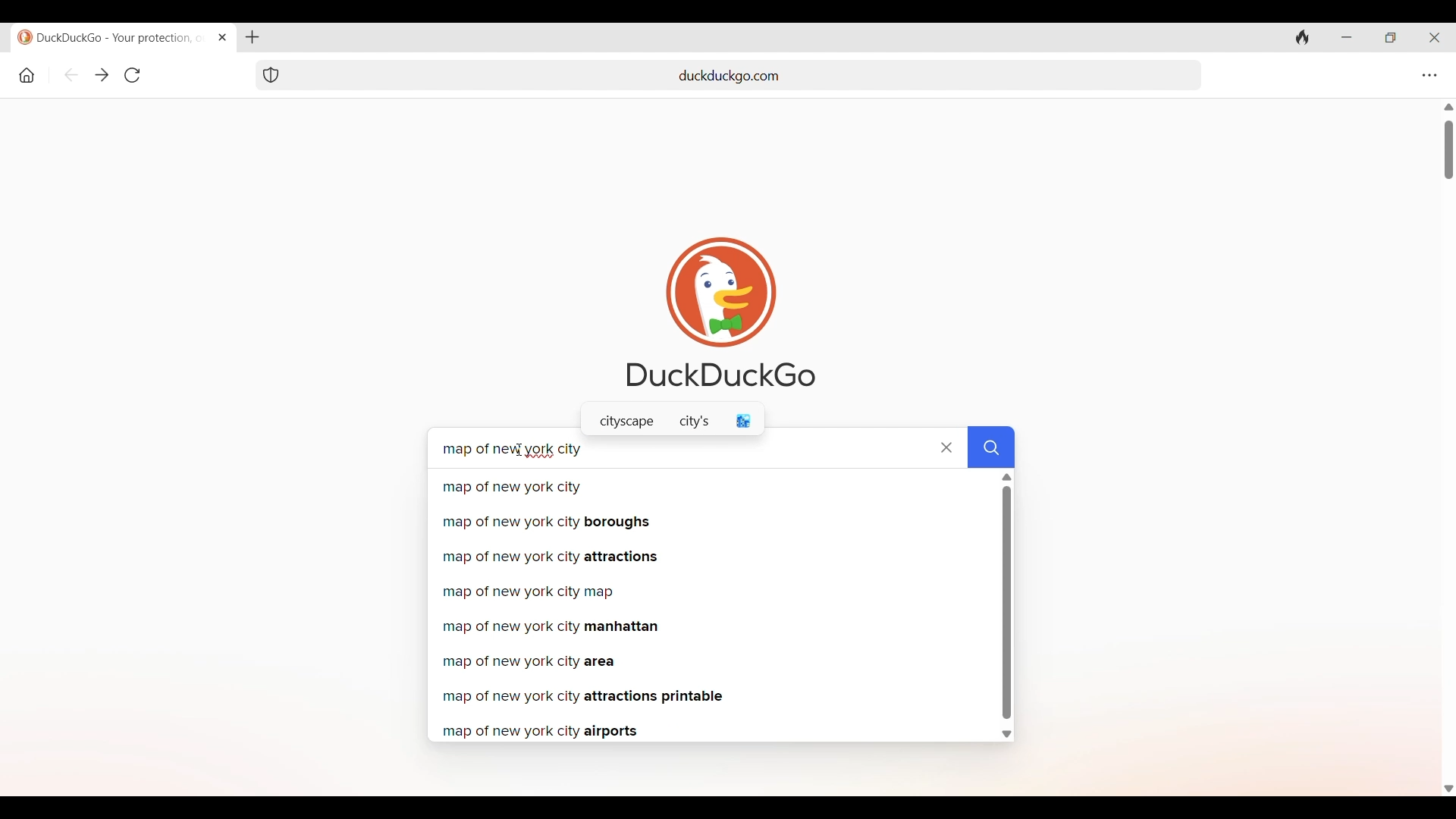  What do you see at coordinates (480, 75) in the screenshot?
I see `Search tab` at bounding box center [480, 75].